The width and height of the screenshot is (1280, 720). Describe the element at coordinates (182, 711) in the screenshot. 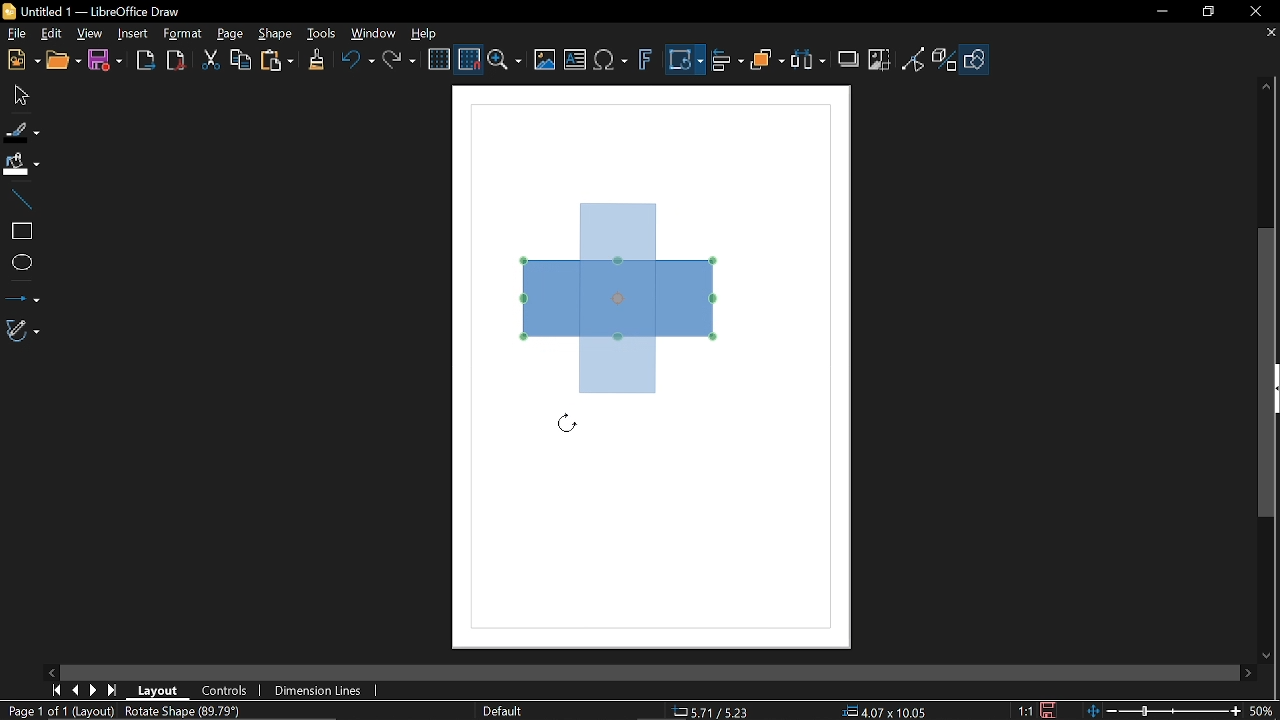

I see `Rotate Shape (89.79 degrees)` at that location.